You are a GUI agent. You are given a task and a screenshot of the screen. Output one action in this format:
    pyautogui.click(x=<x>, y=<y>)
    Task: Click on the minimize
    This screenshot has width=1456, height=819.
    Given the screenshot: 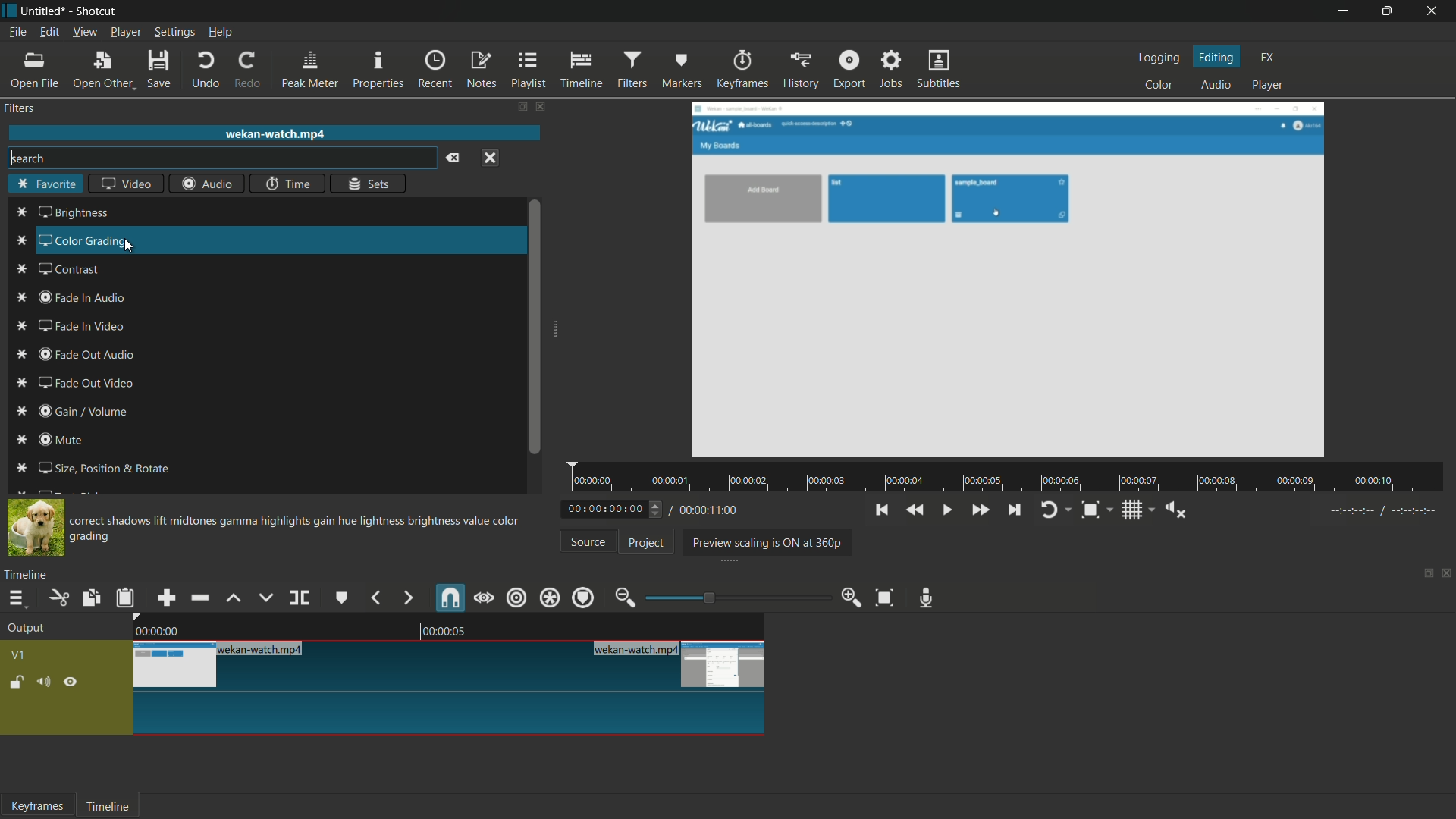 What is the action you would take?
    pyautogui.click(x=1340, y=11)
    